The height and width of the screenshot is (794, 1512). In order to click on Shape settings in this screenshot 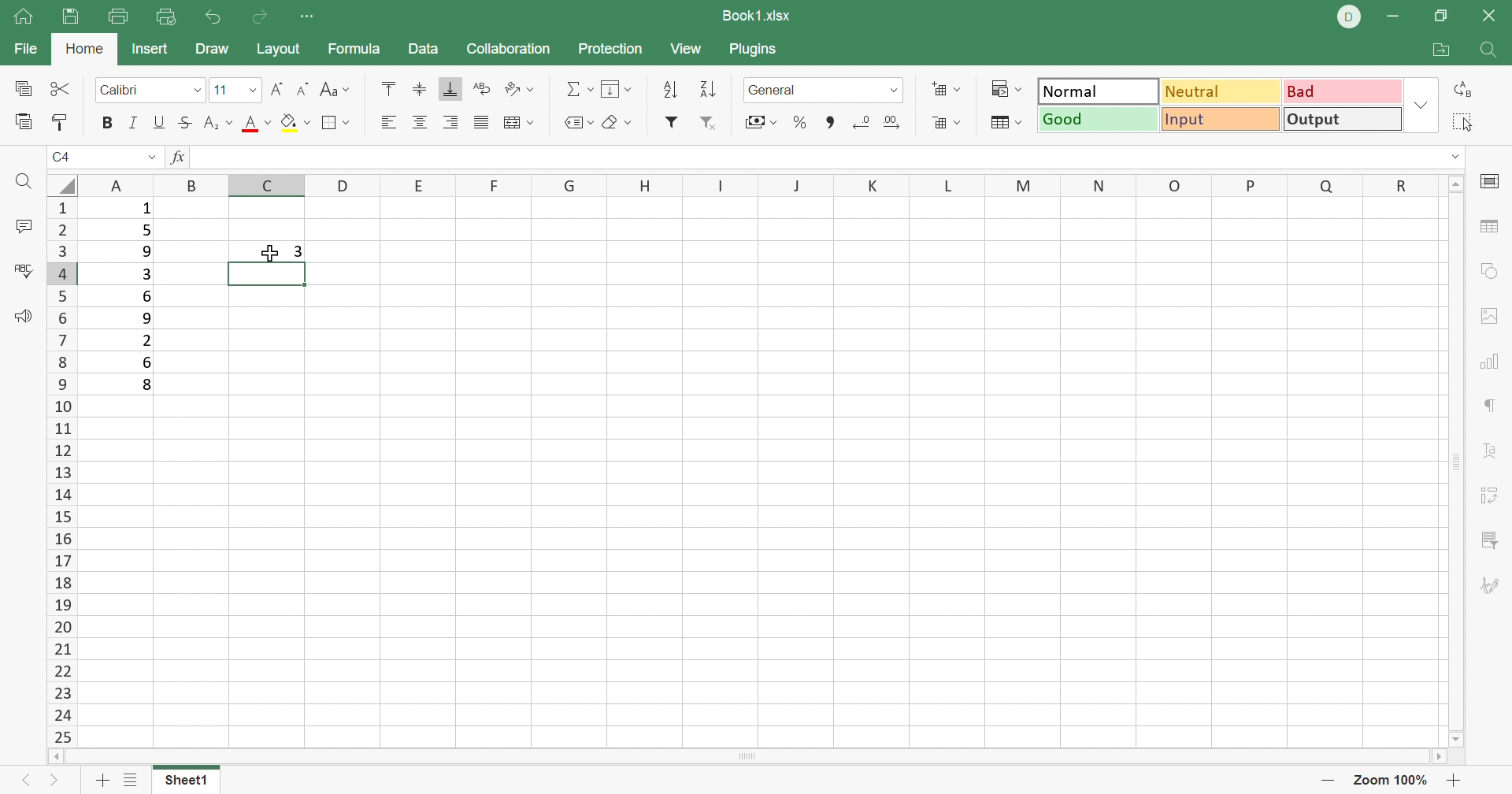, I will do `click(1486, 271)`.